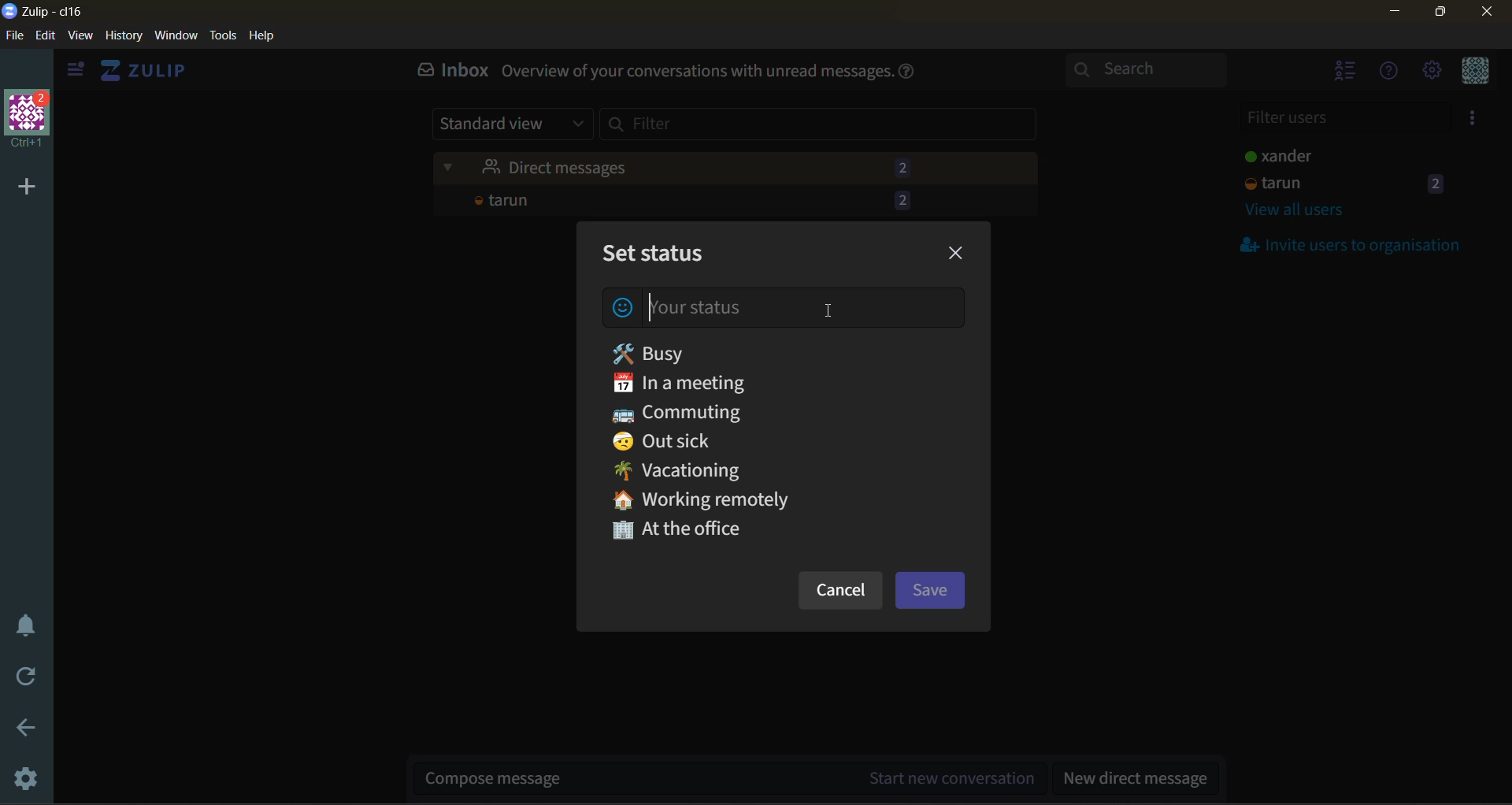  What do you see at coordinates (1136, 777) in the screenshot?
I see `new direct message` at bounding box center [1136, 777].